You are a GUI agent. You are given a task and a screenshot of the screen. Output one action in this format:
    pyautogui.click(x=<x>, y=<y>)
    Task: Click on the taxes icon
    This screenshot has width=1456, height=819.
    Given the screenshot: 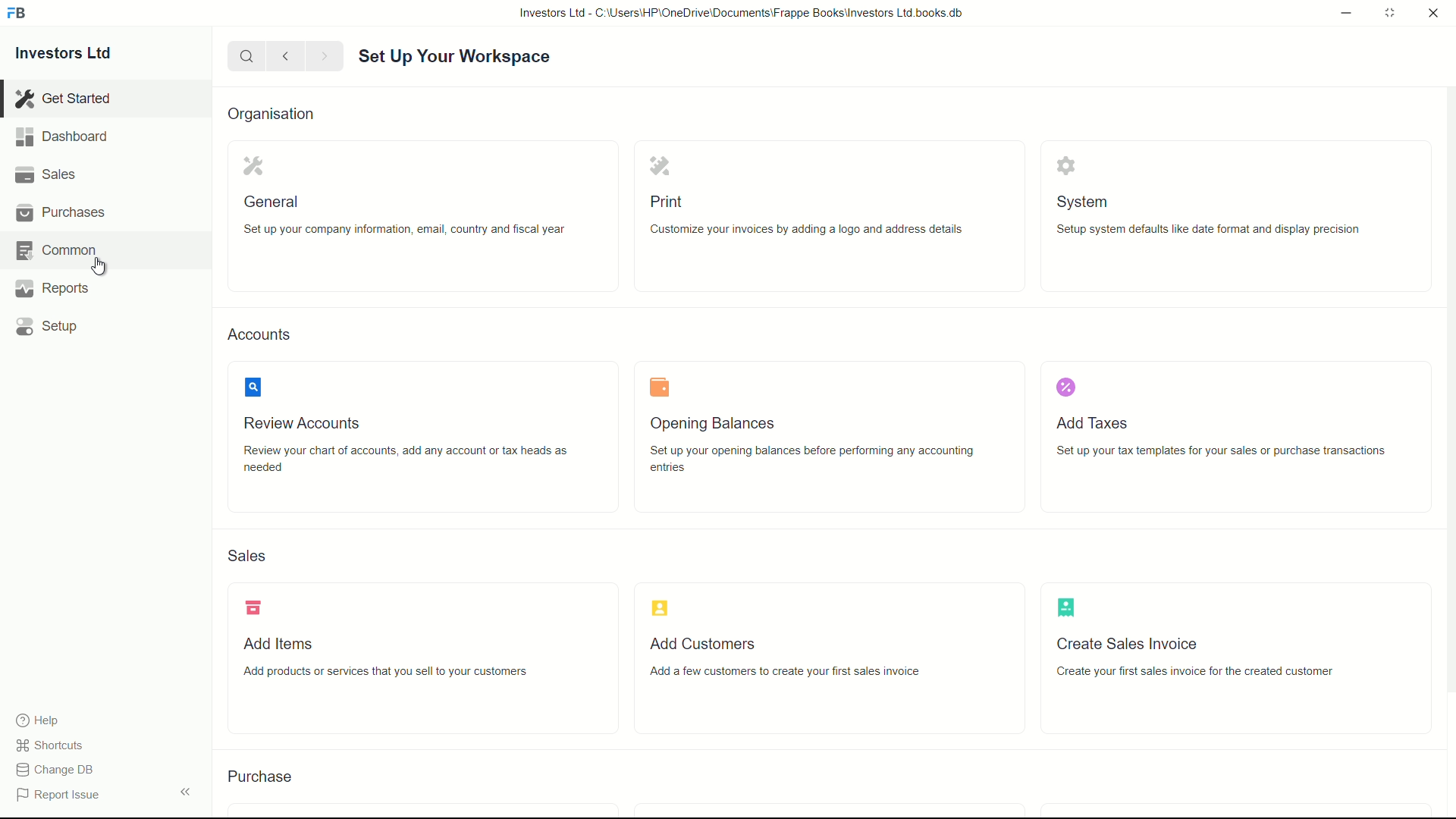 What is the action you would take?
    pyautogui.click(x=1069, y=391)
    